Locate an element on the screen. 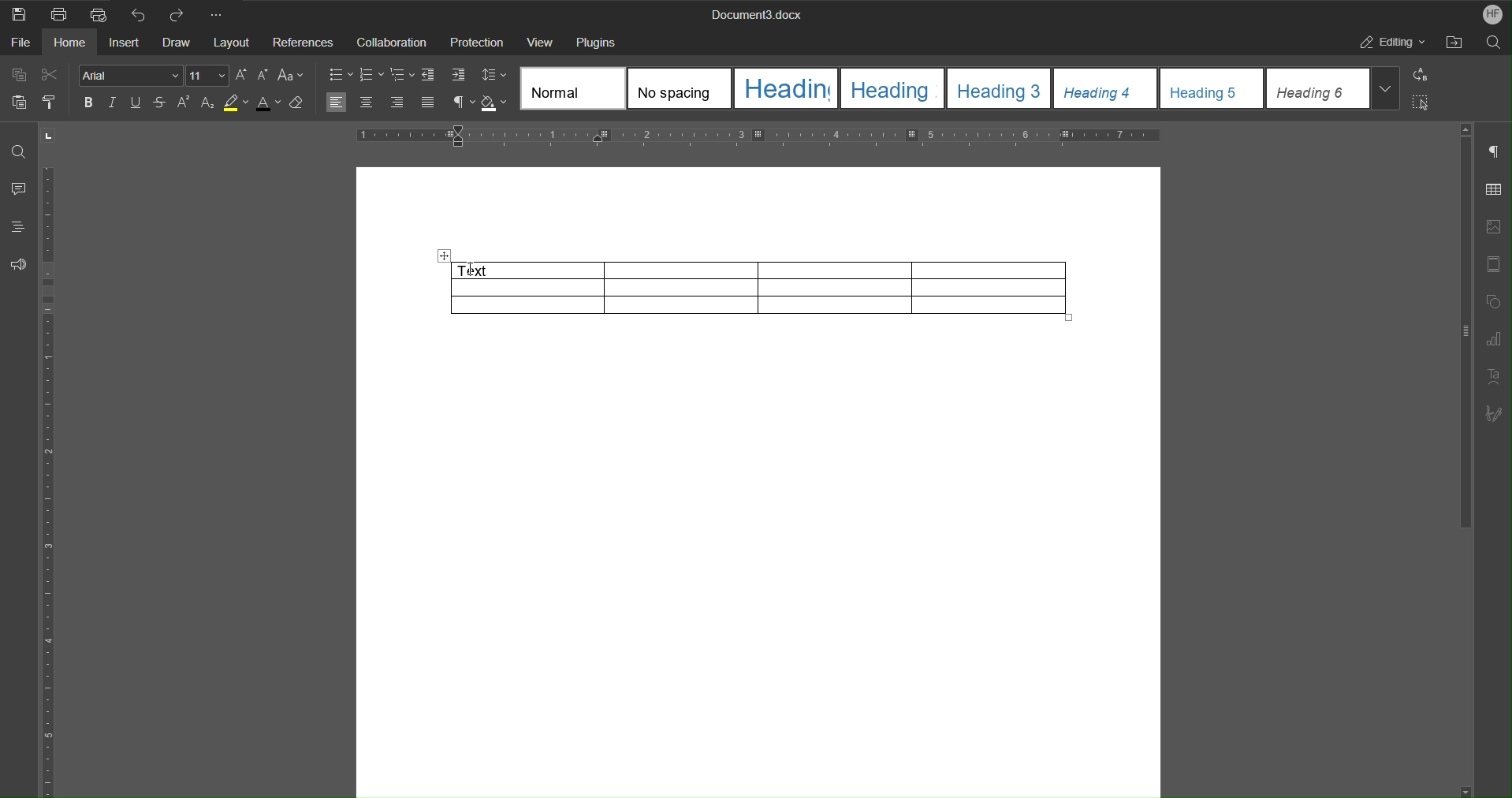 This screenshot has height=798, width=1512. Plugins is located at coordinates (598, 40).